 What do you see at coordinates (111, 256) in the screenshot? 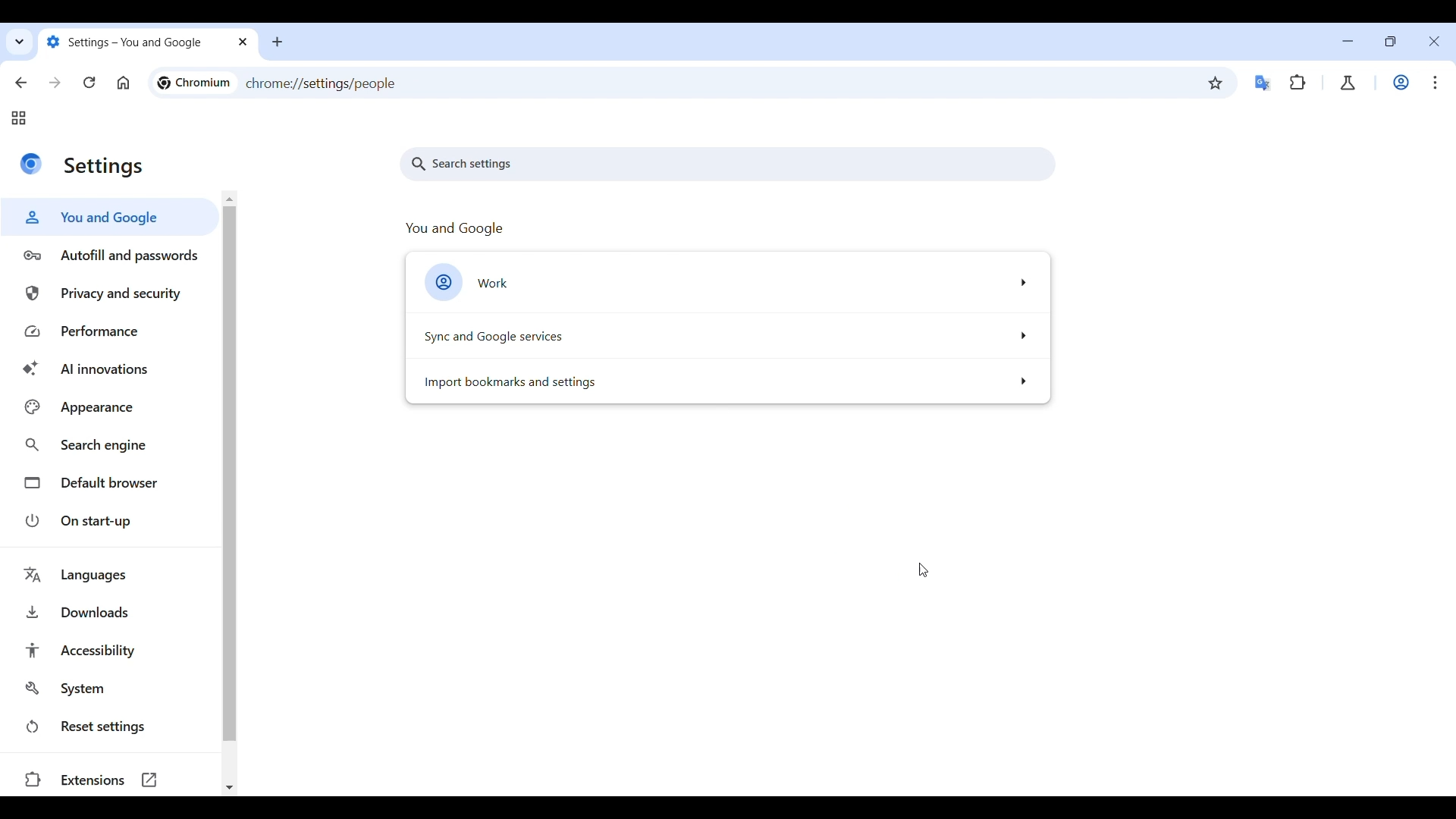
I see `Autofill and passwords` at bounding box center [111, 256].